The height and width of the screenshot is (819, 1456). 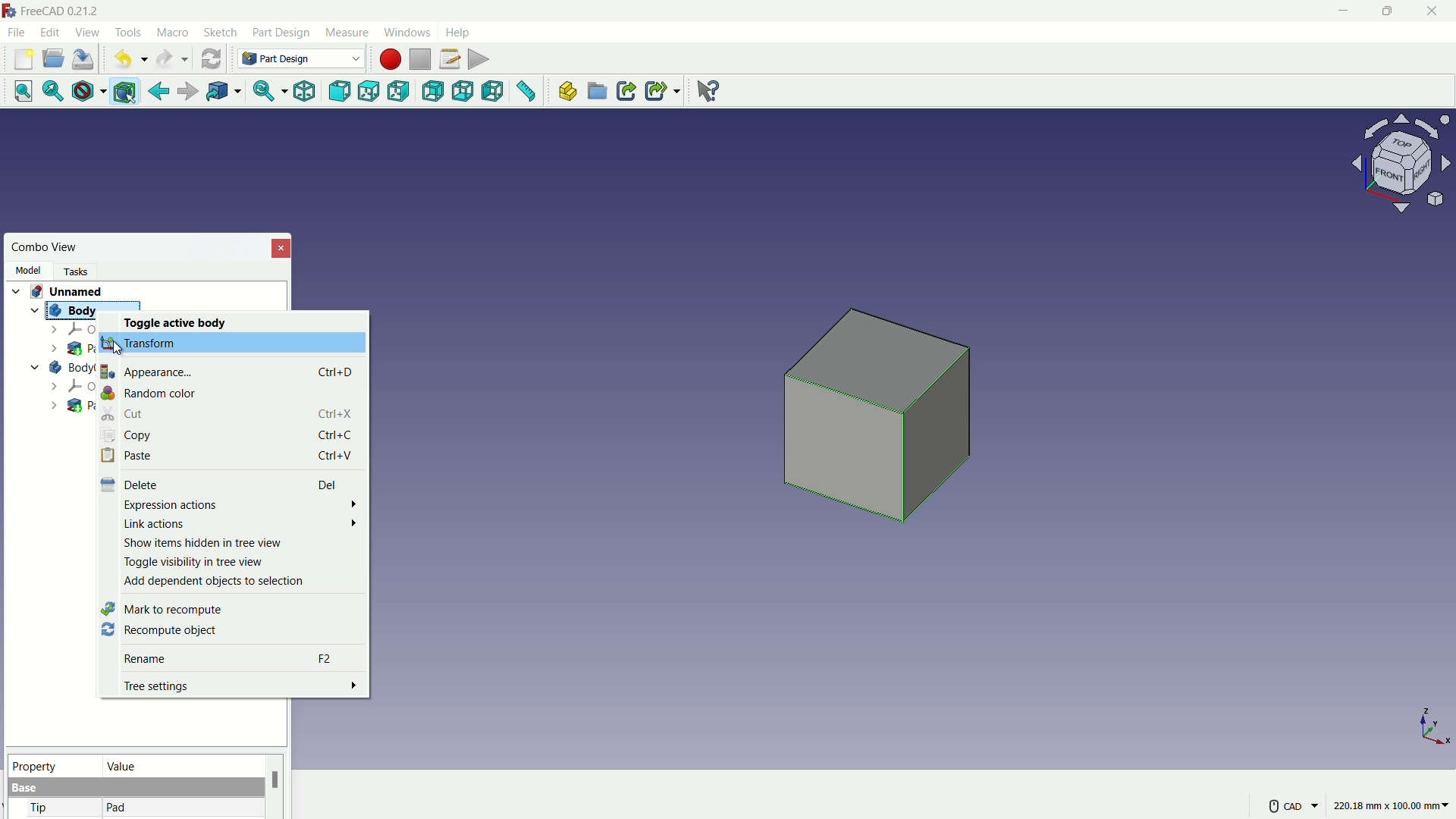 I want to click on macro, so click(x=174, y=33).